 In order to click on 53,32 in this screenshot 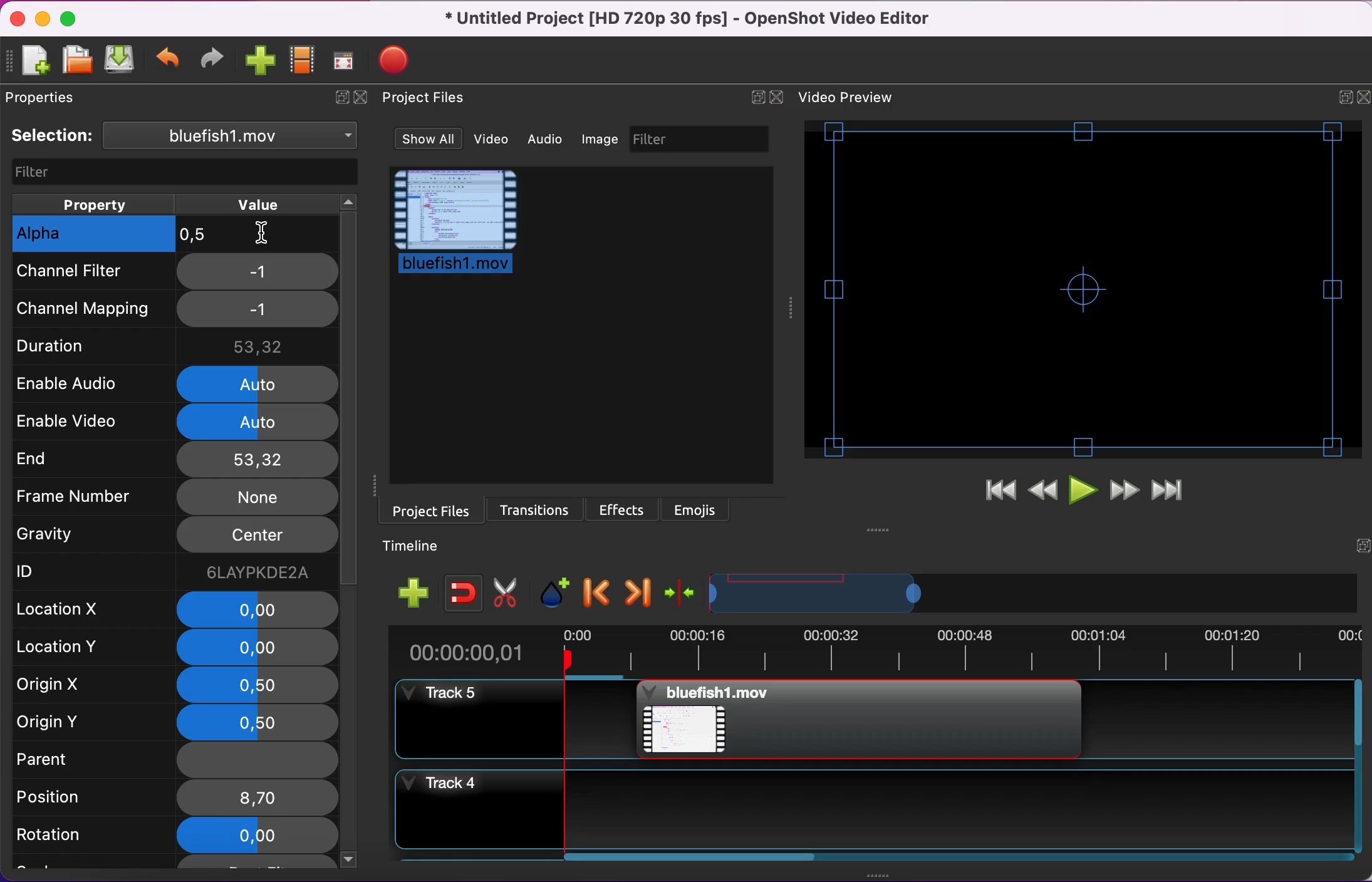, I will do `click(256, 459)`.